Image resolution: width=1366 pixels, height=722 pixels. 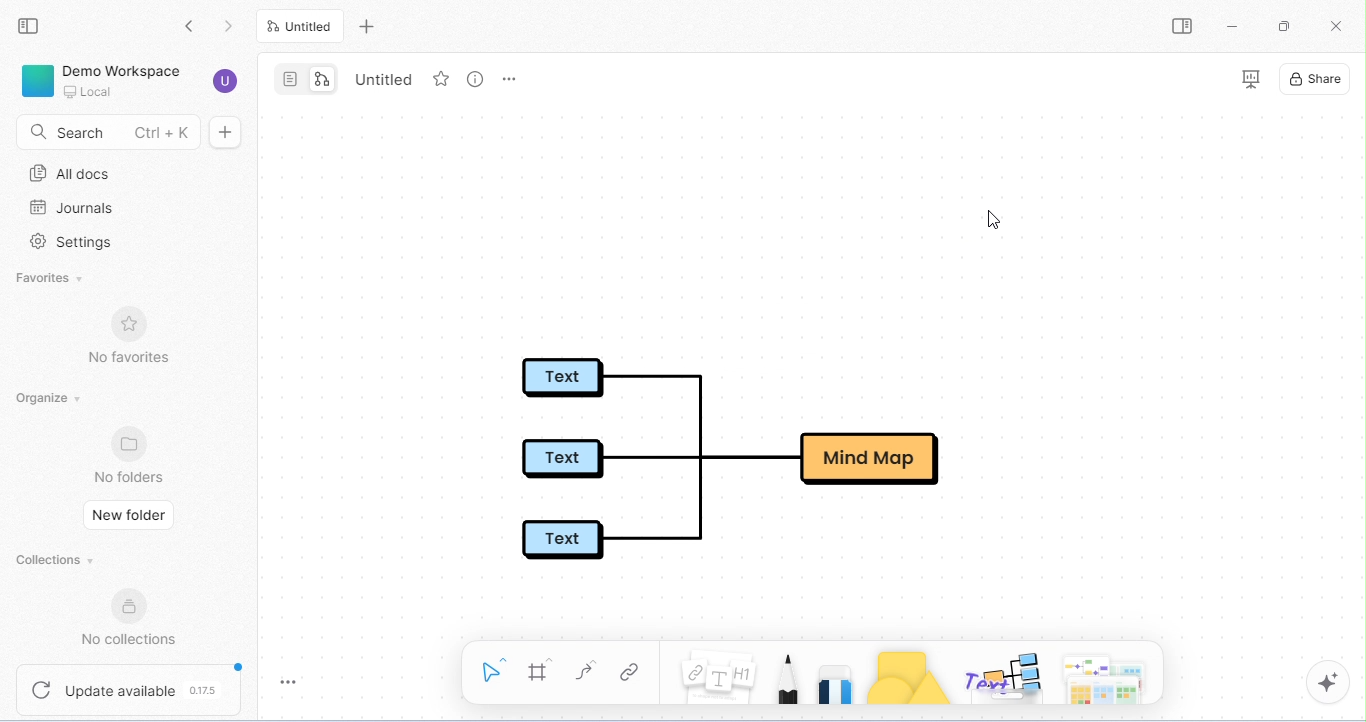 I want to click on open side bar, so click(x=1184, y=27).